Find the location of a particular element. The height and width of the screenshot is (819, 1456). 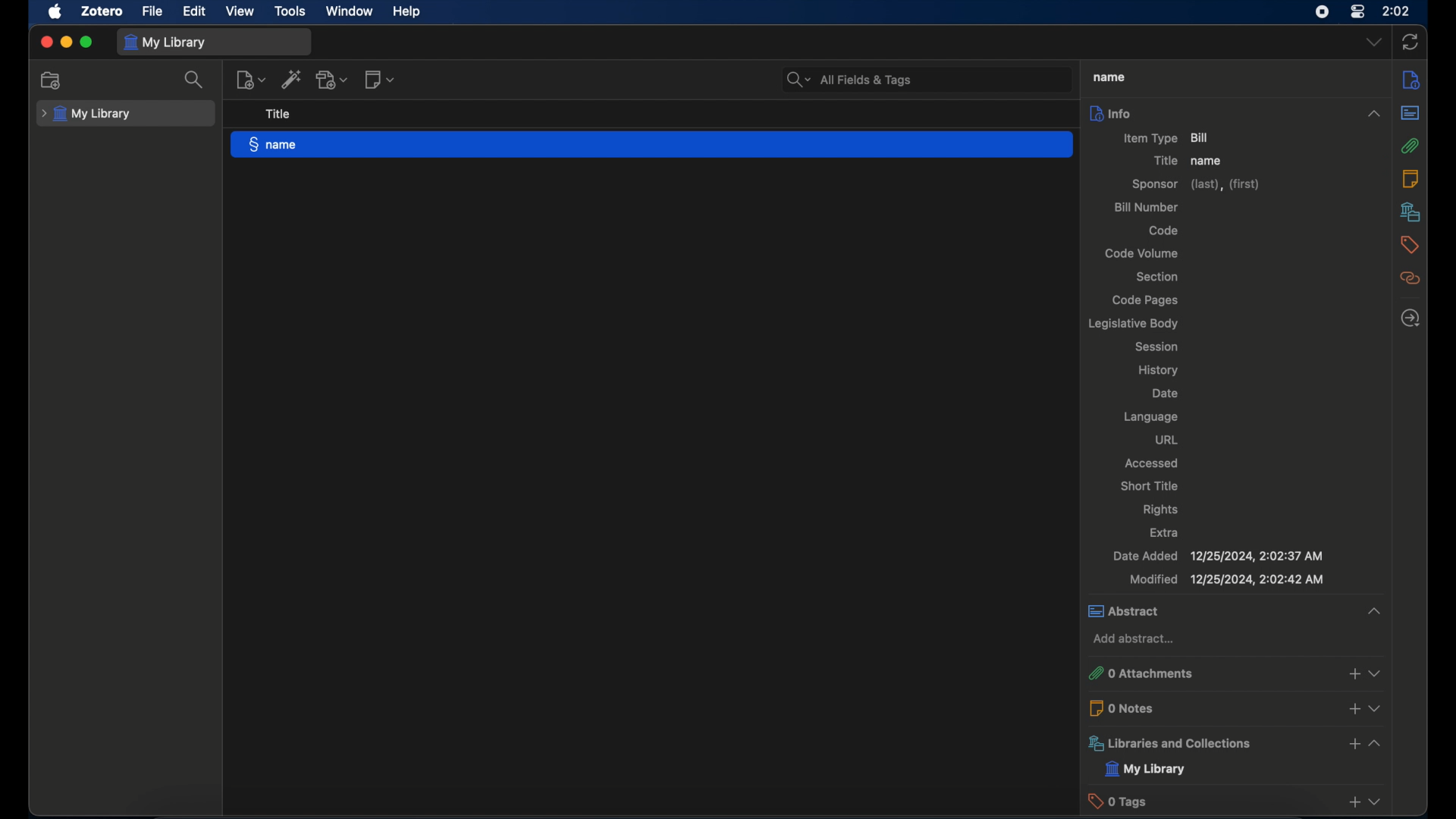

abstract is located at coordinates (1234, 610).